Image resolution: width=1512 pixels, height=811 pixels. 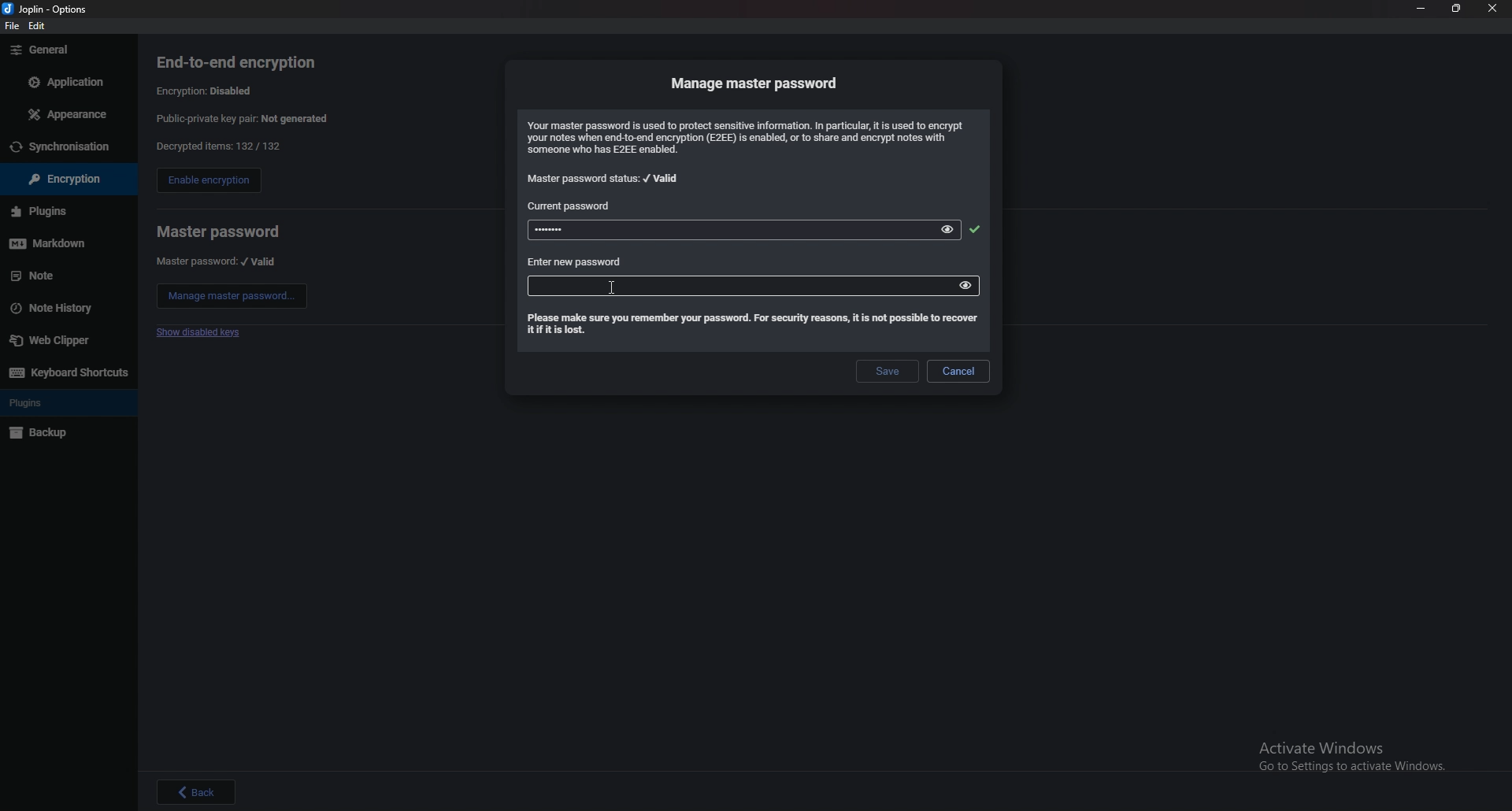 What do you see at coordinates (49, 8) in the screenshot?
I see `options` at bounding box center [49, 8].